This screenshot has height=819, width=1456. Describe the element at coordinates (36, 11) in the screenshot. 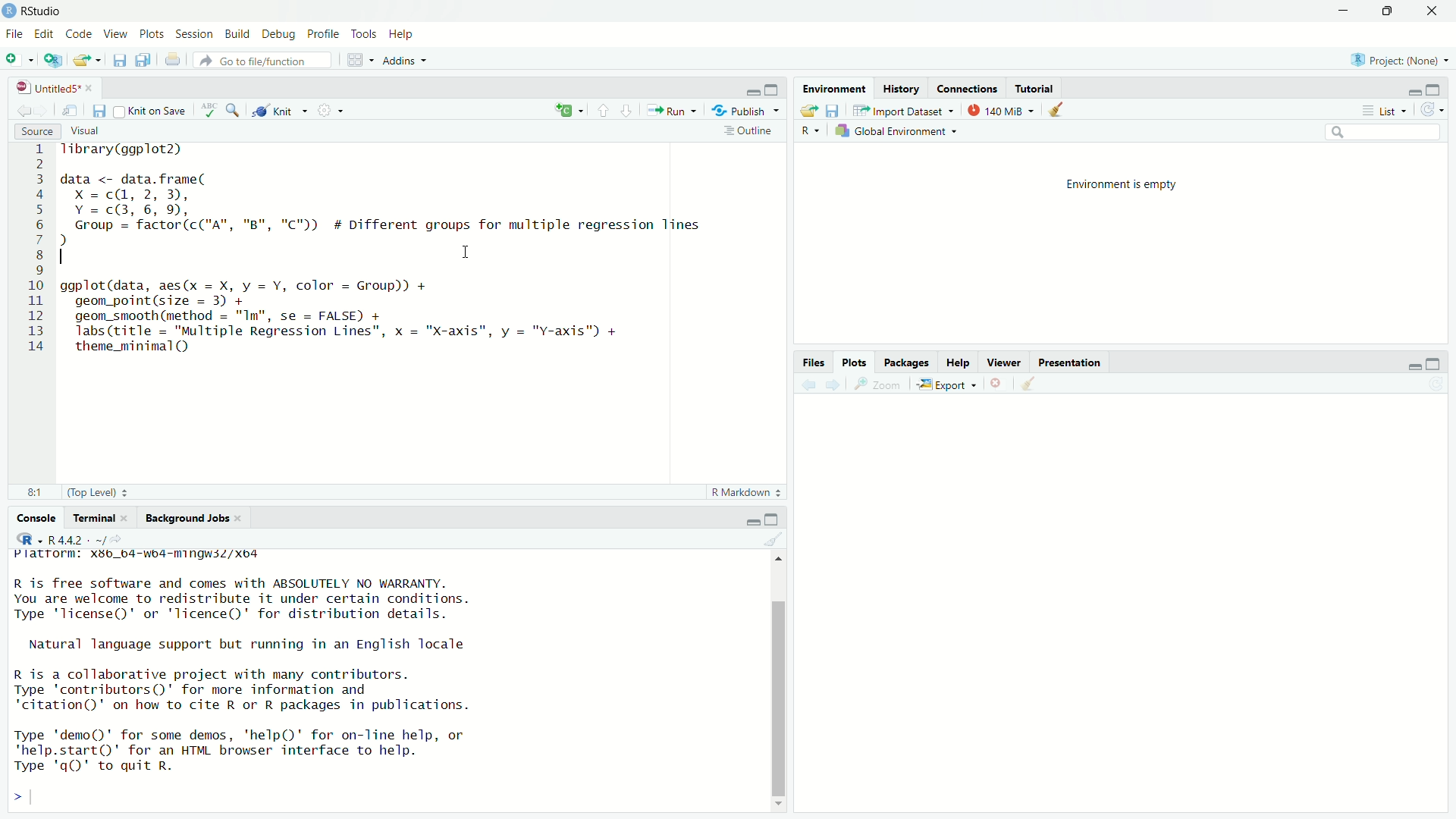

I see `RStudio` at that location.